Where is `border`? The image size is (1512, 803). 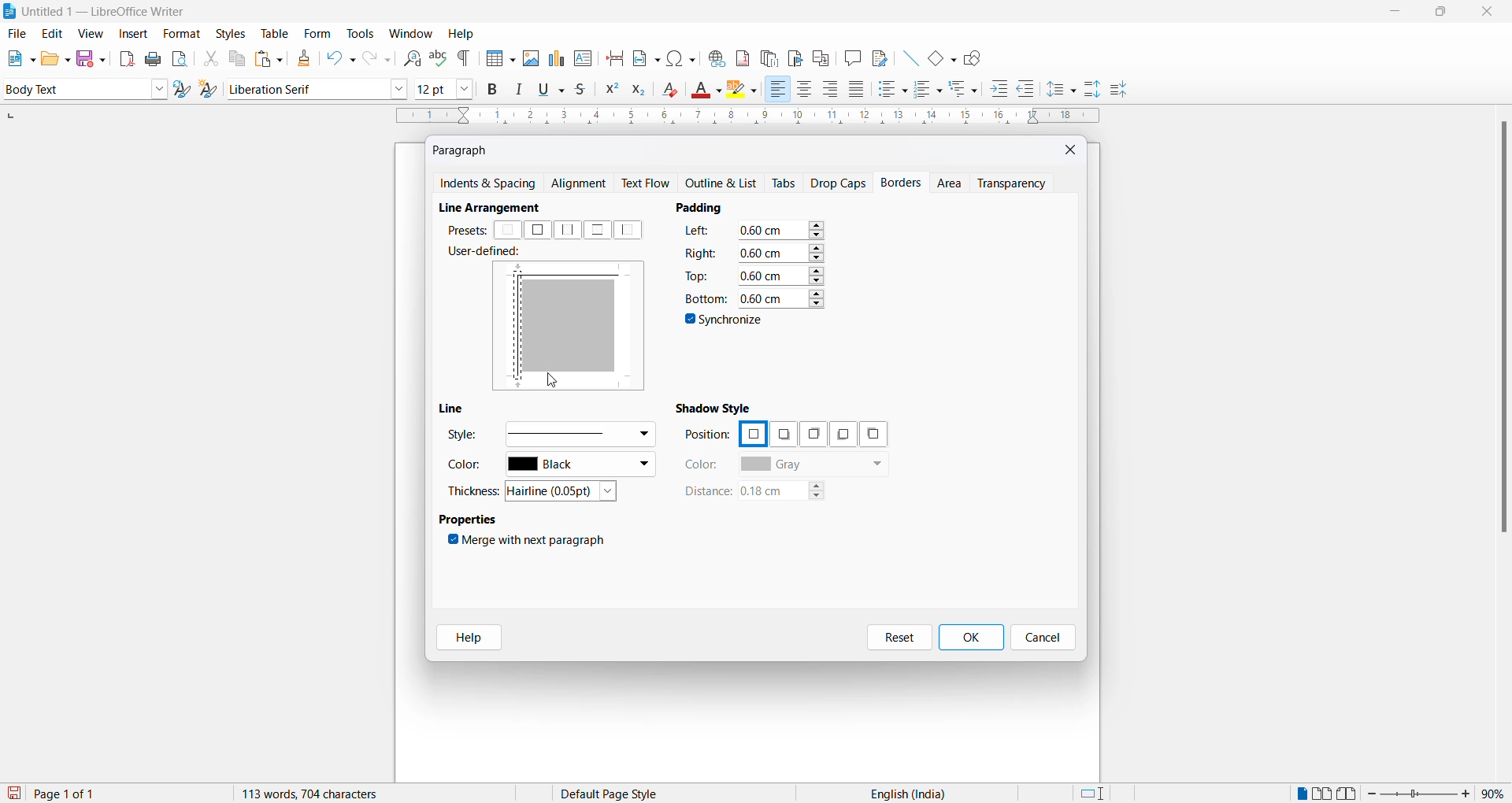
border is located at coordinates (580, 273).